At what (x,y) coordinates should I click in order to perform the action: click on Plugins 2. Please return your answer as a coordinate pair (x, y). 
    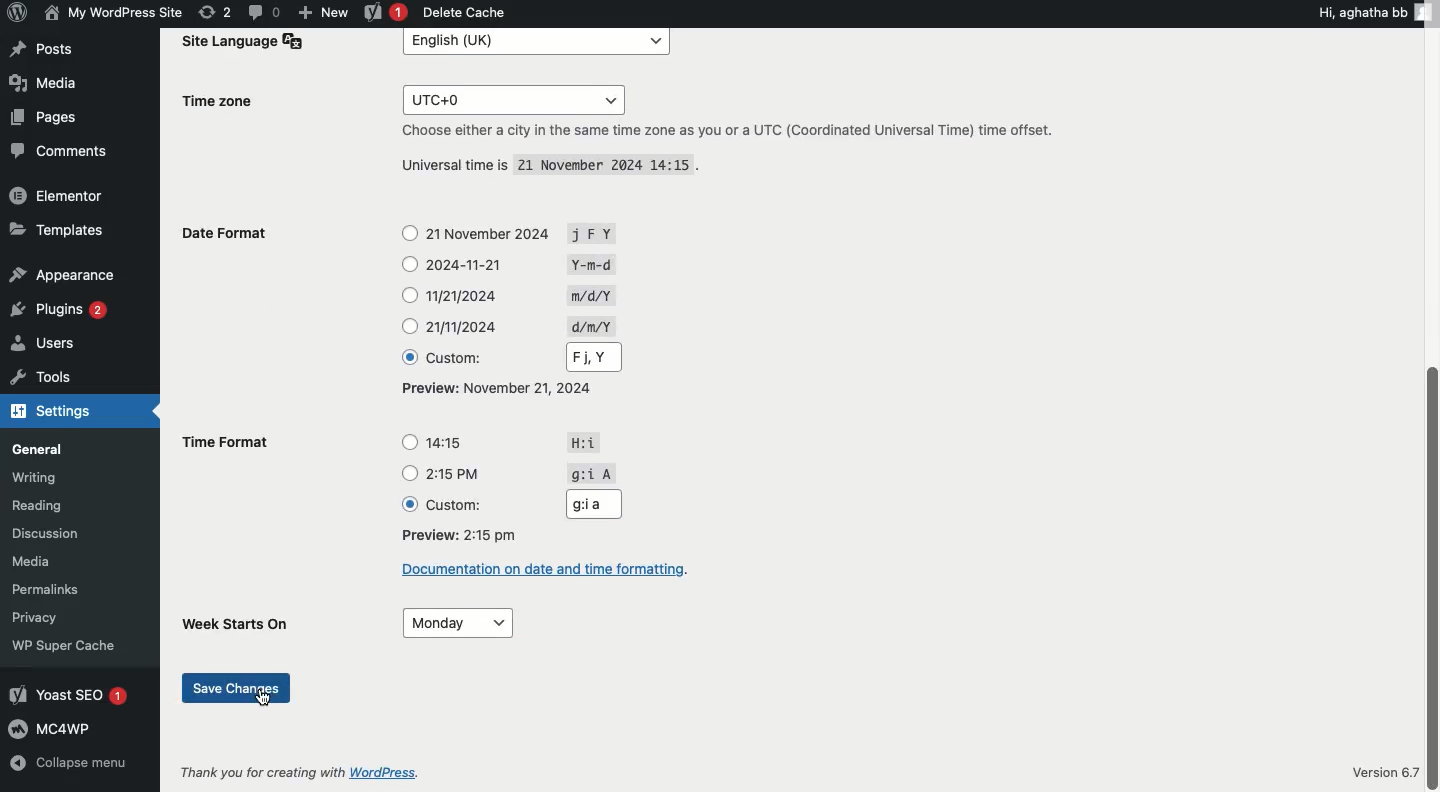
    Looking at the image, I should click on (57, 313).